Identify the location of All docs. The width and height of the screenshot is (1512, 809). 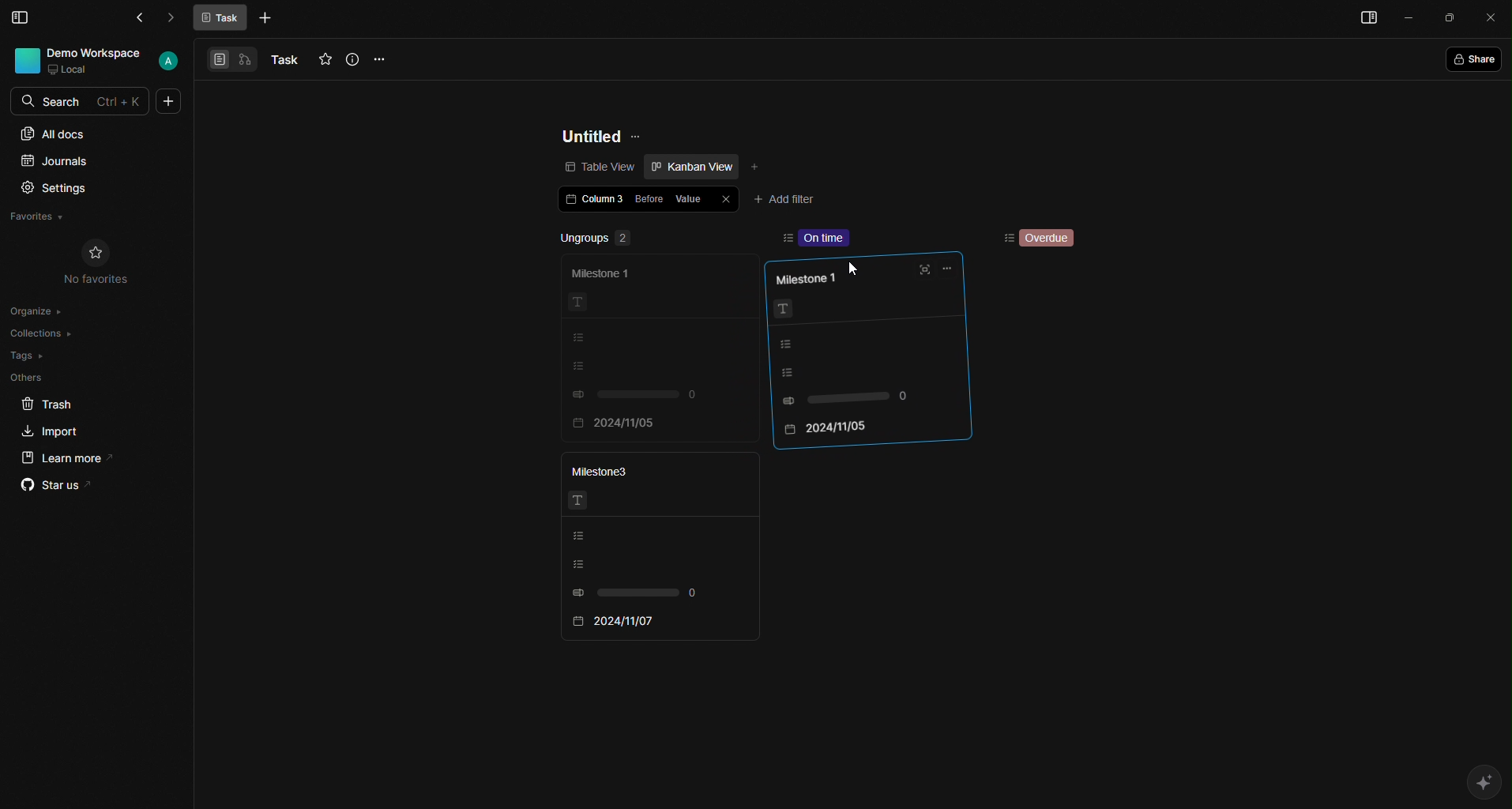
(54, 135).